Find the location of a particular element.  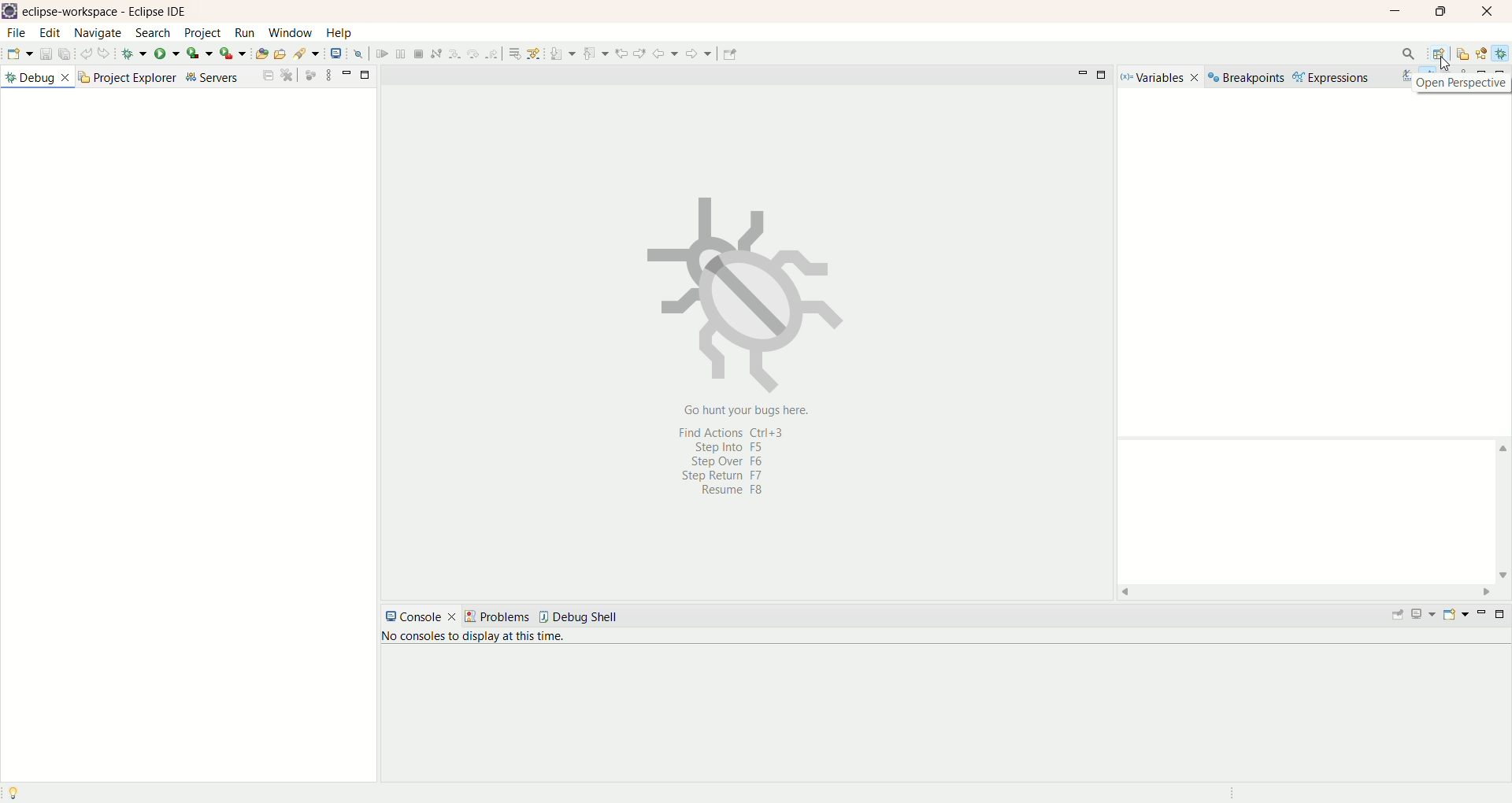

create a new Java servlet is located at coordinates (302, 54).